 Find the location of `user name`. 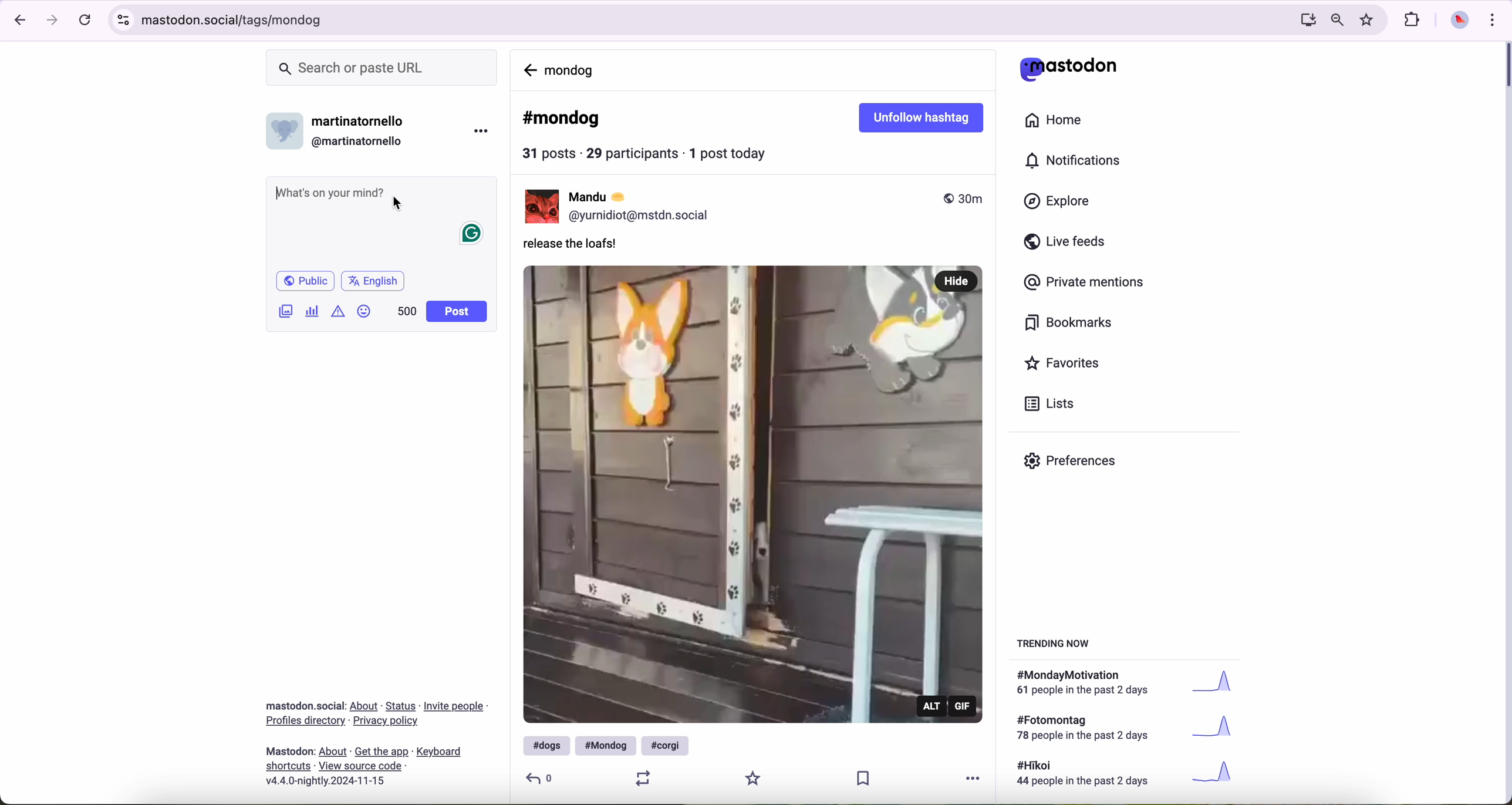

user name is located at coordinates (362, 122).